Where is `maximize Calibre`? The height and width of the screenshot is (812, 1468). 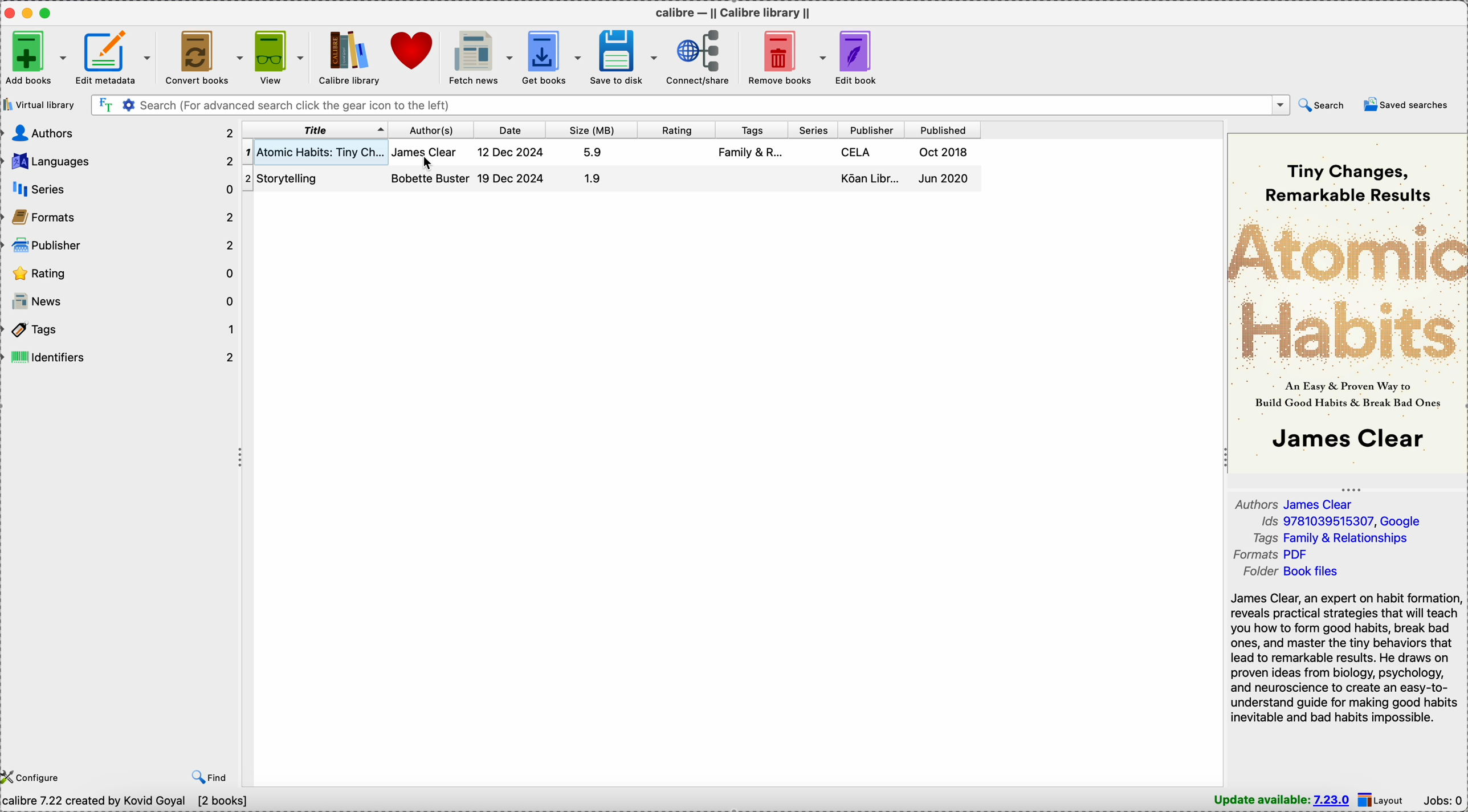
maximize Calibre is located at coordinates (48, 11).